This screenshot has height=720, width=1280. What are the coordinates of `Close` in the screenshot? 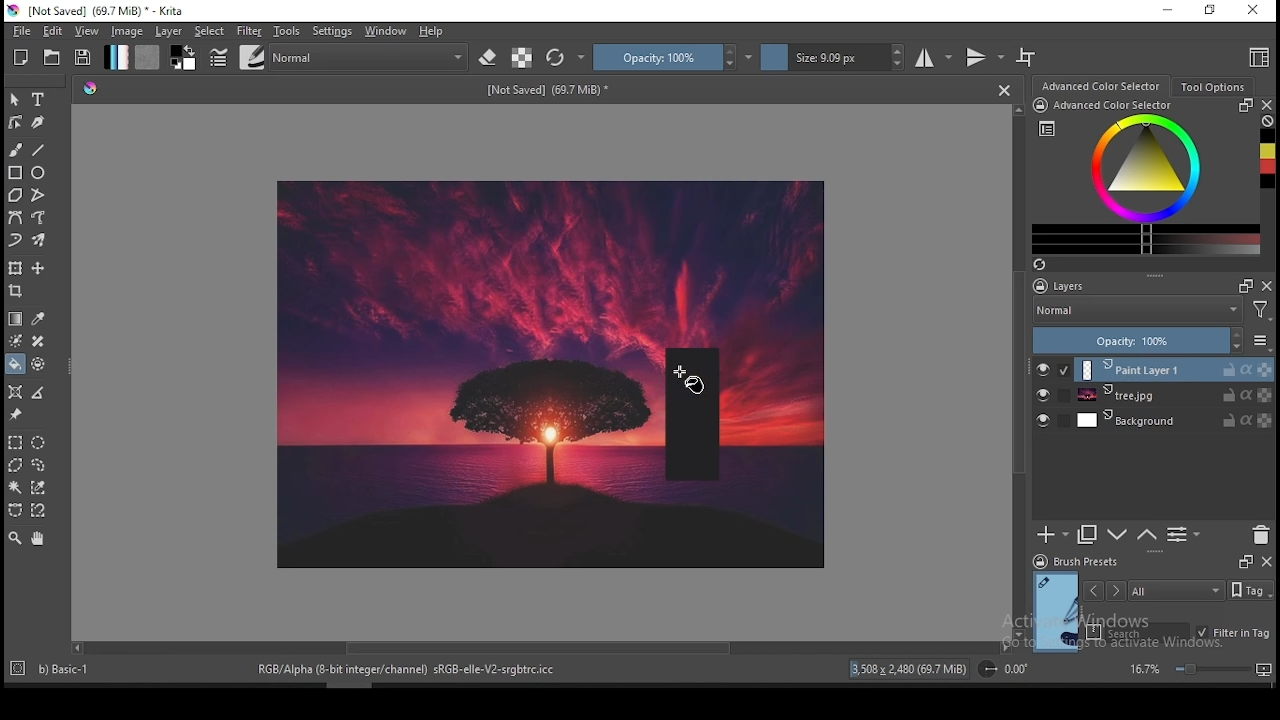 It's located at (1004, 90).